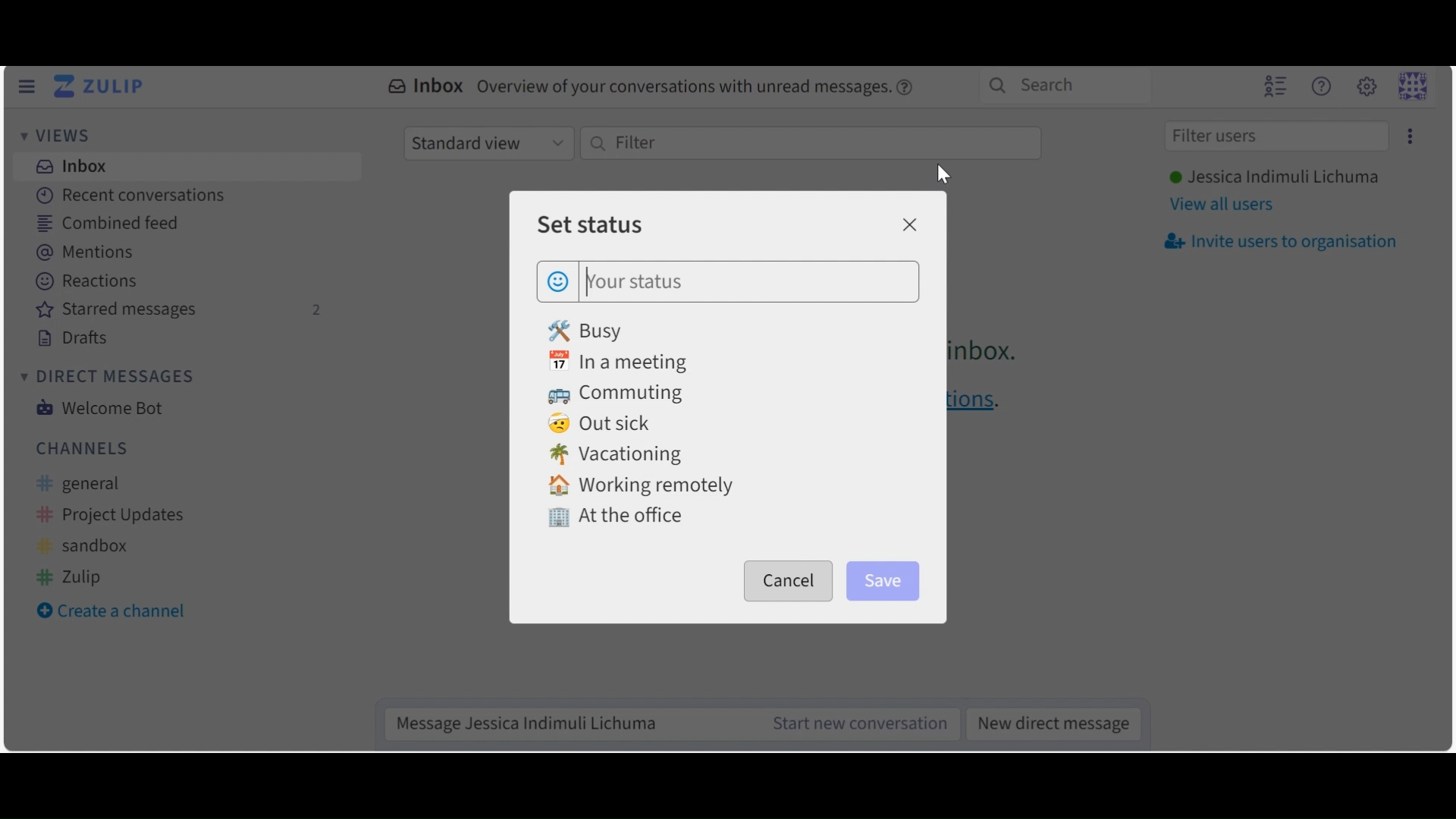  I want to click on Start a conversation, so click(853, 723).